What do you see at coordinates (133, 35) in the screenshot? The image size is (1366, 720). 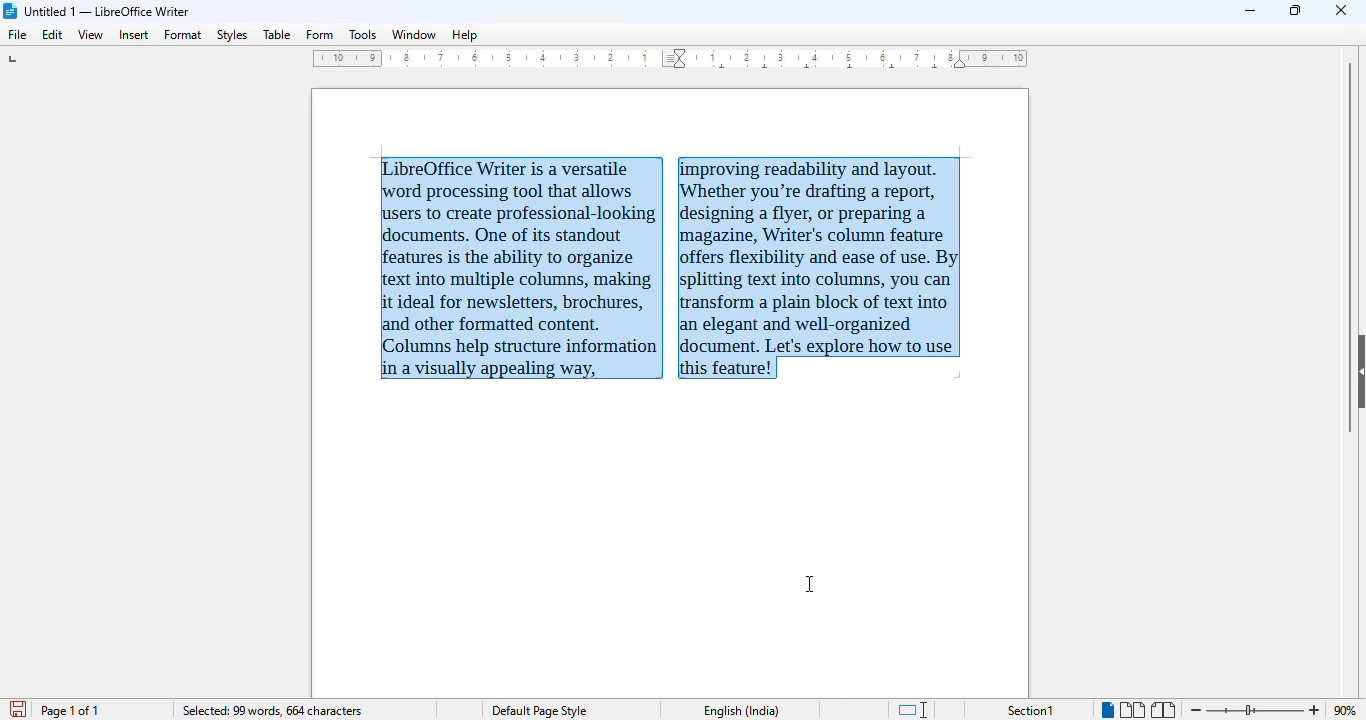 I see `insert` at bounding box center [133, 35].